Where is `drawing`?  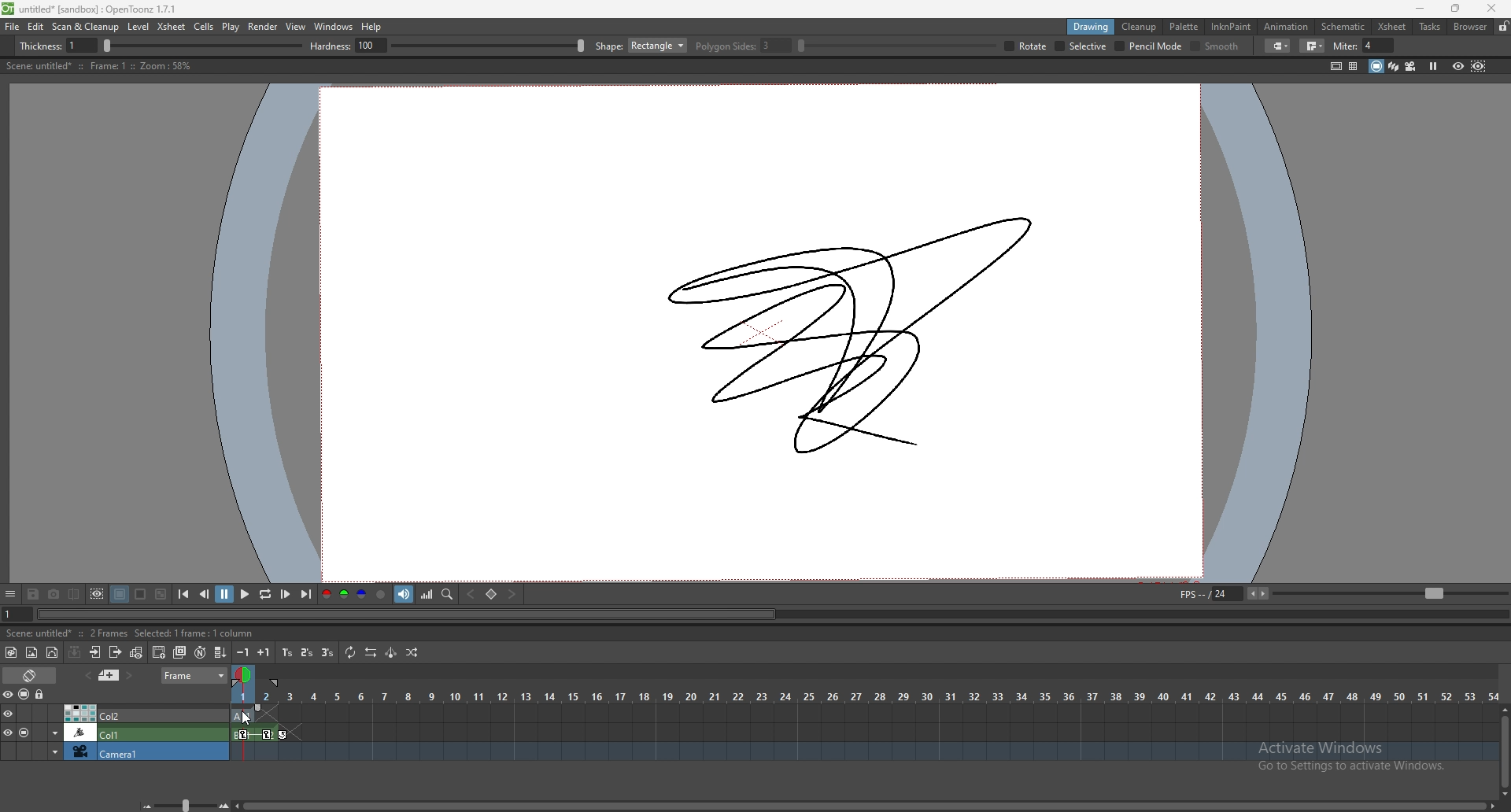
drawing is located at coordinates (1092, 26).